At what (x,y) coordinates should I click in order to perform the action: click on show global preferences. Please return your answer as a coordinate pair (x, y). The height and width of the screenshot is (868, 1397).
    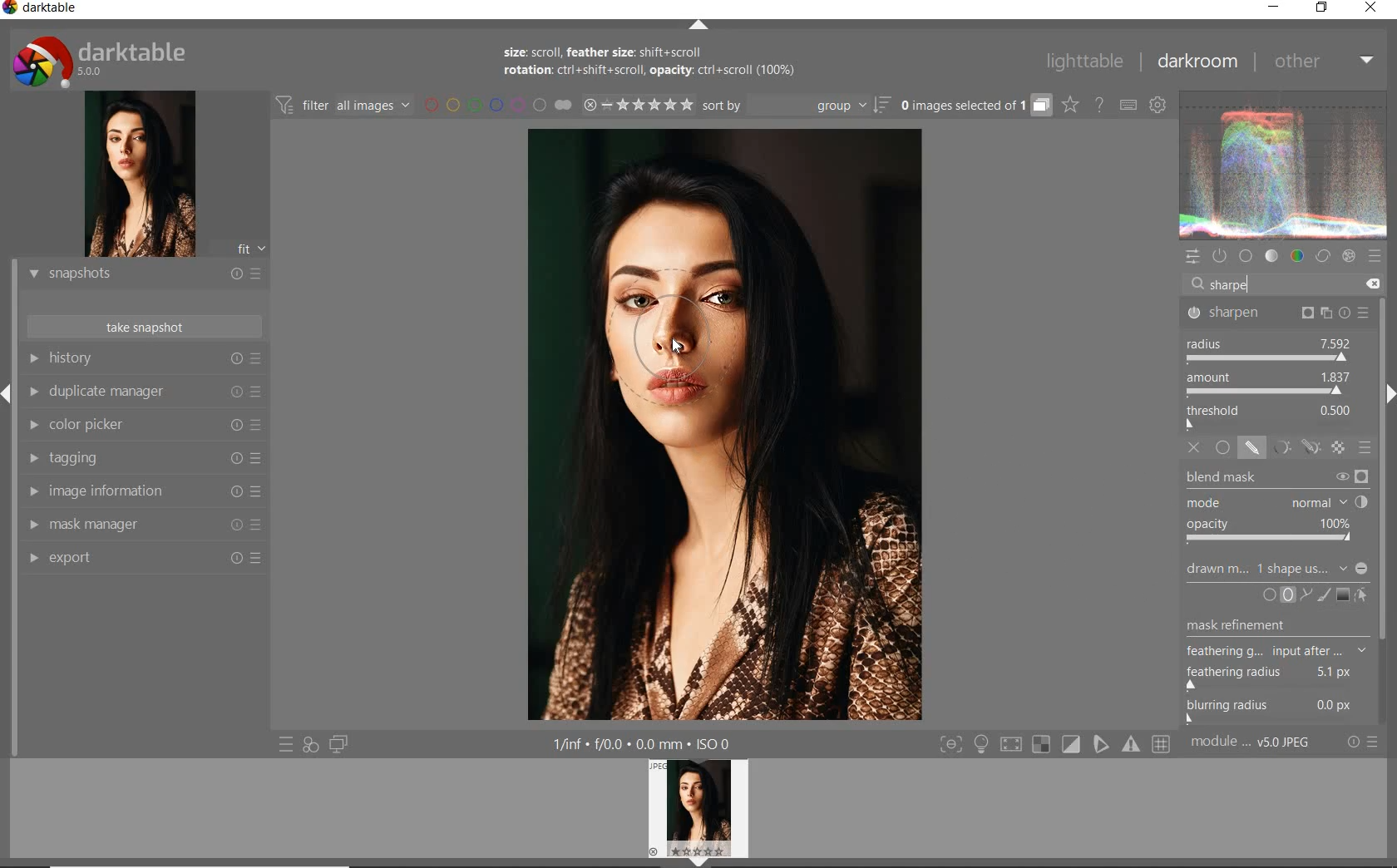
    Looking at the image, I should click on (1158, 105).